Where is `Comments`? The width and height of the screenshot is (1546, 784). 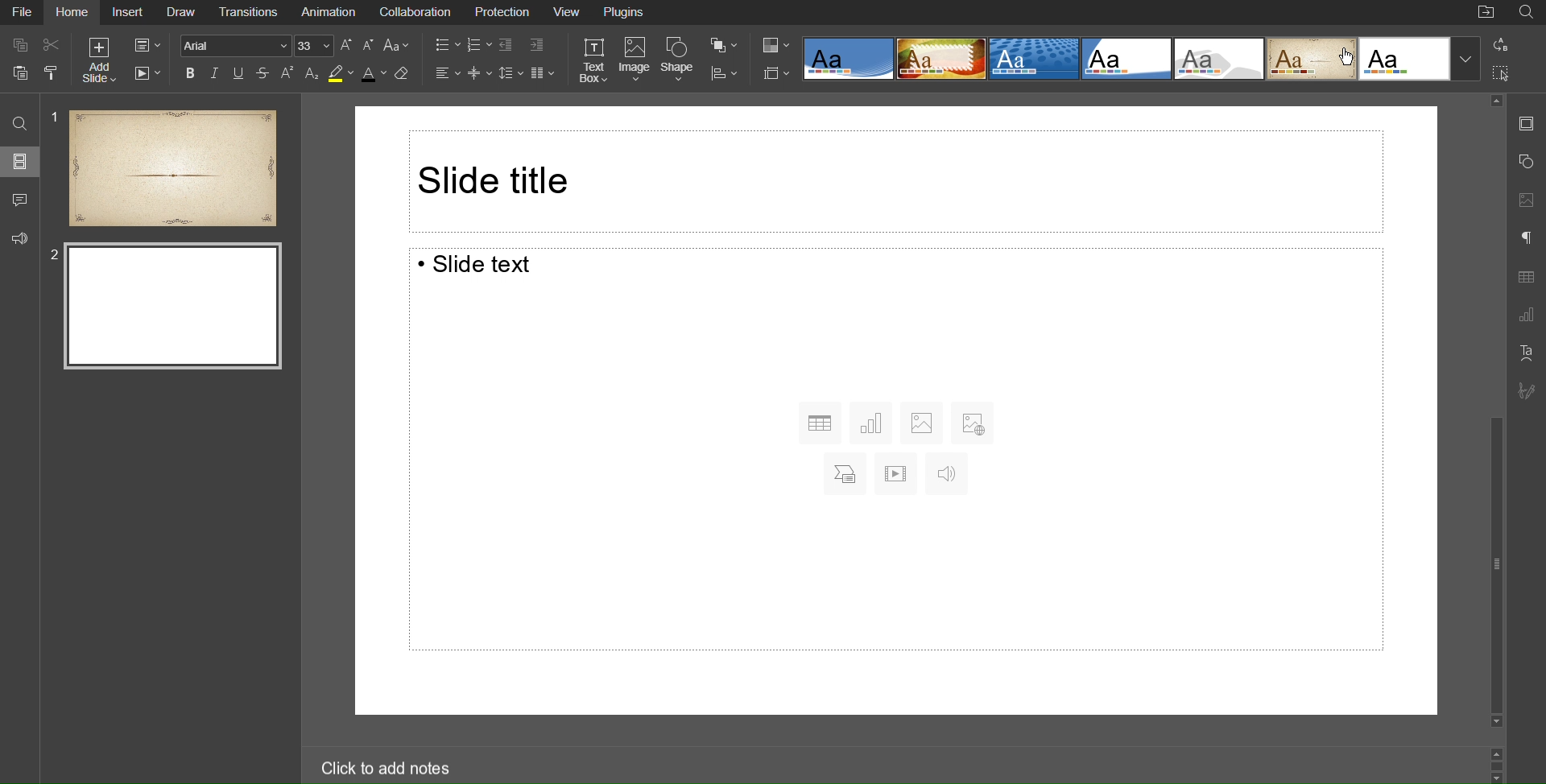 Comments is located at coordinates (19, 198).